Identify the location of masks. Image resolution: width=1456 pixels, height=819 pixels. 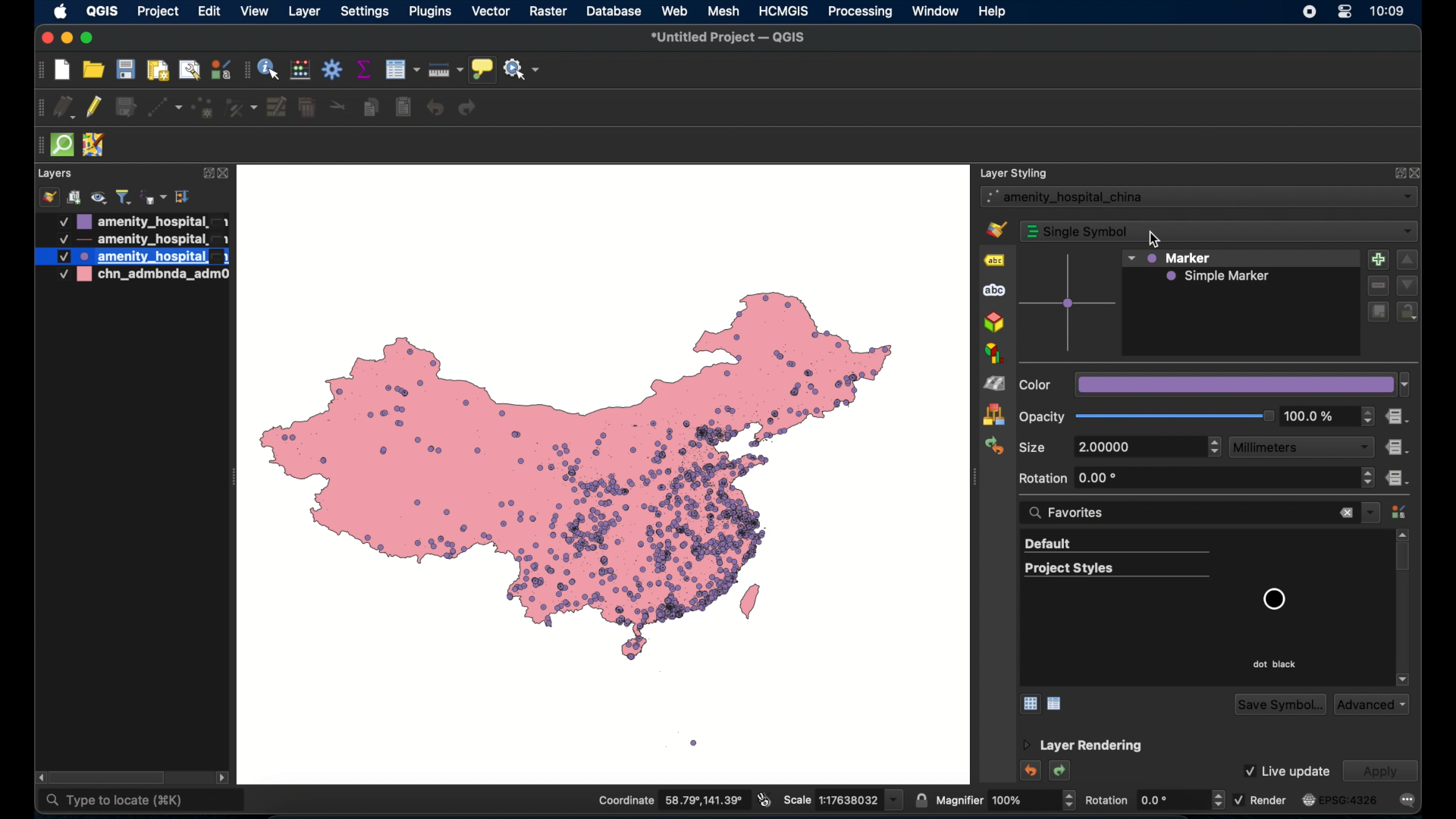
(994, 292).